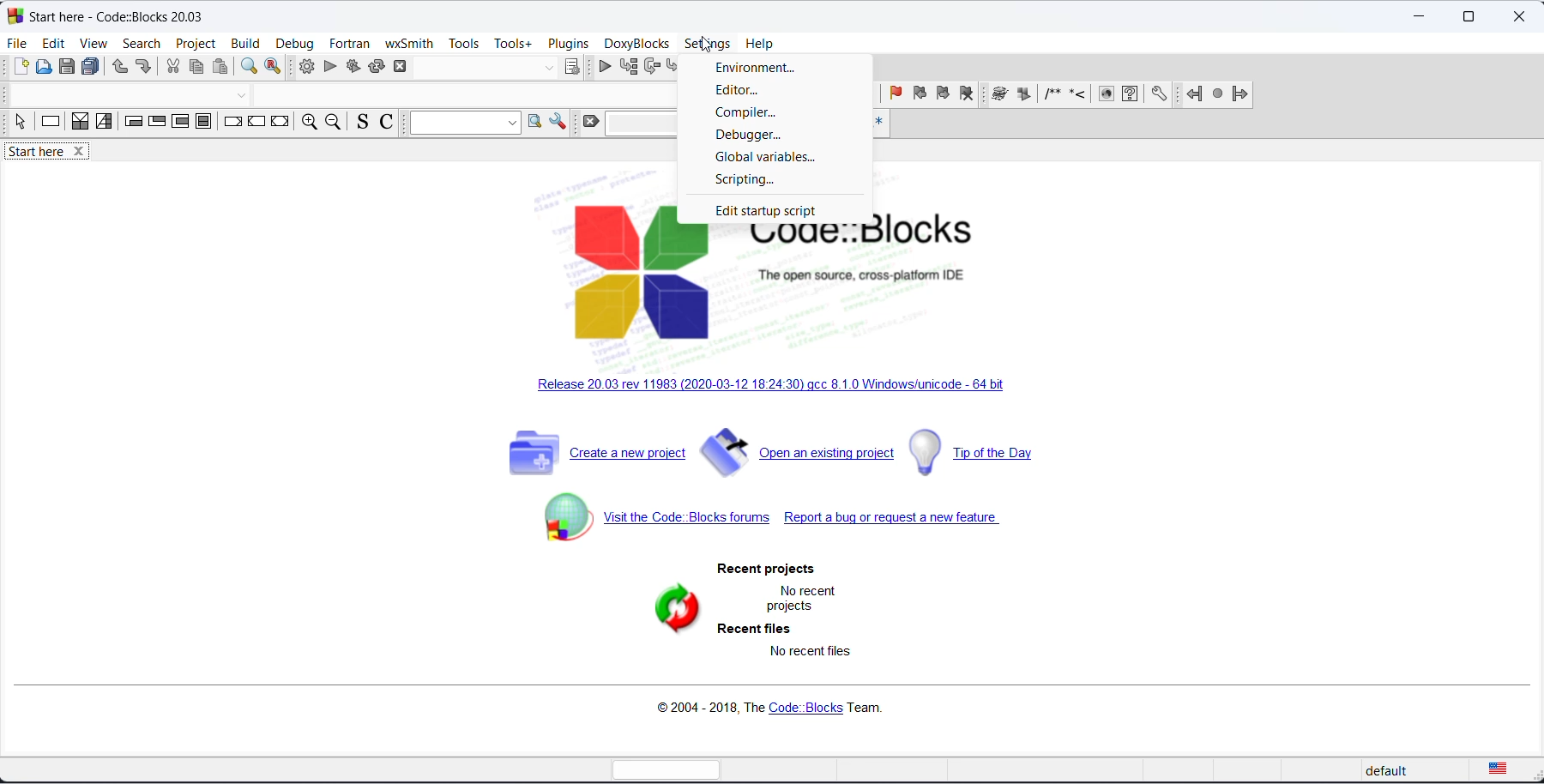  I want to click on toggle comments, so click(387, 123).